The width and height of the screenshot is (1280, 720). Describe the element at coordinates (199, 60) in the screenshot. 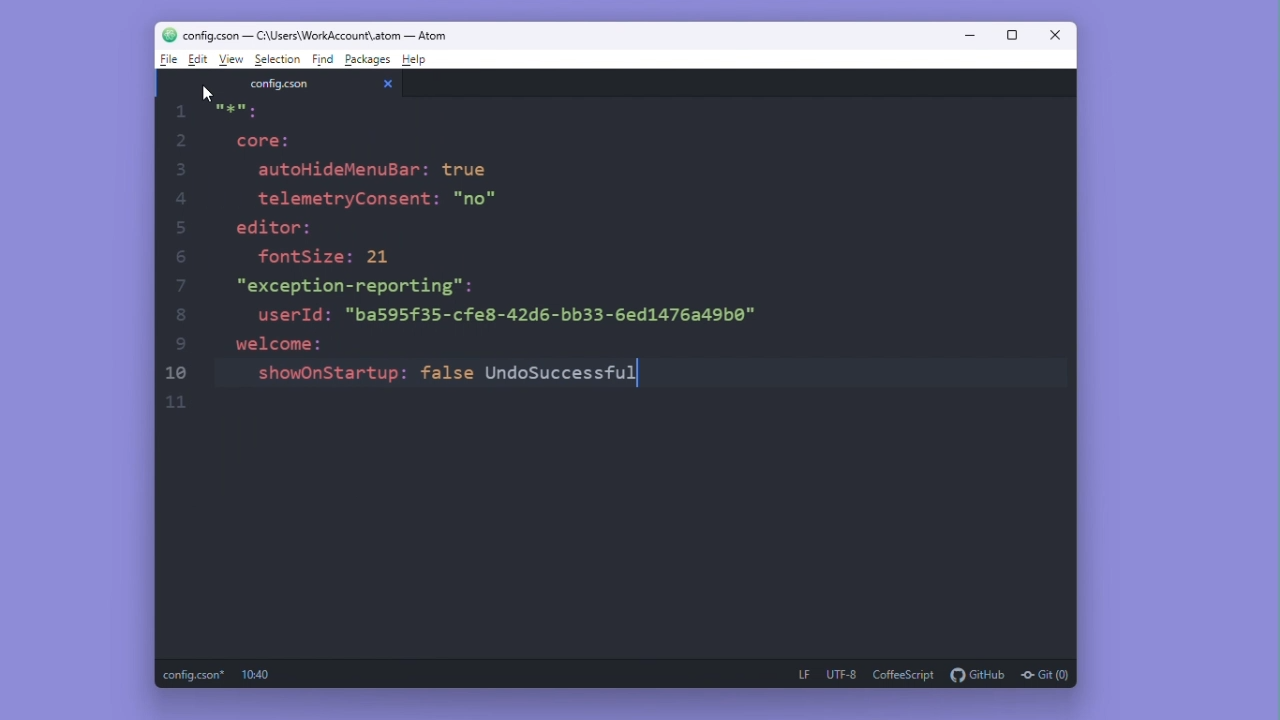

I see `edit` at that location.